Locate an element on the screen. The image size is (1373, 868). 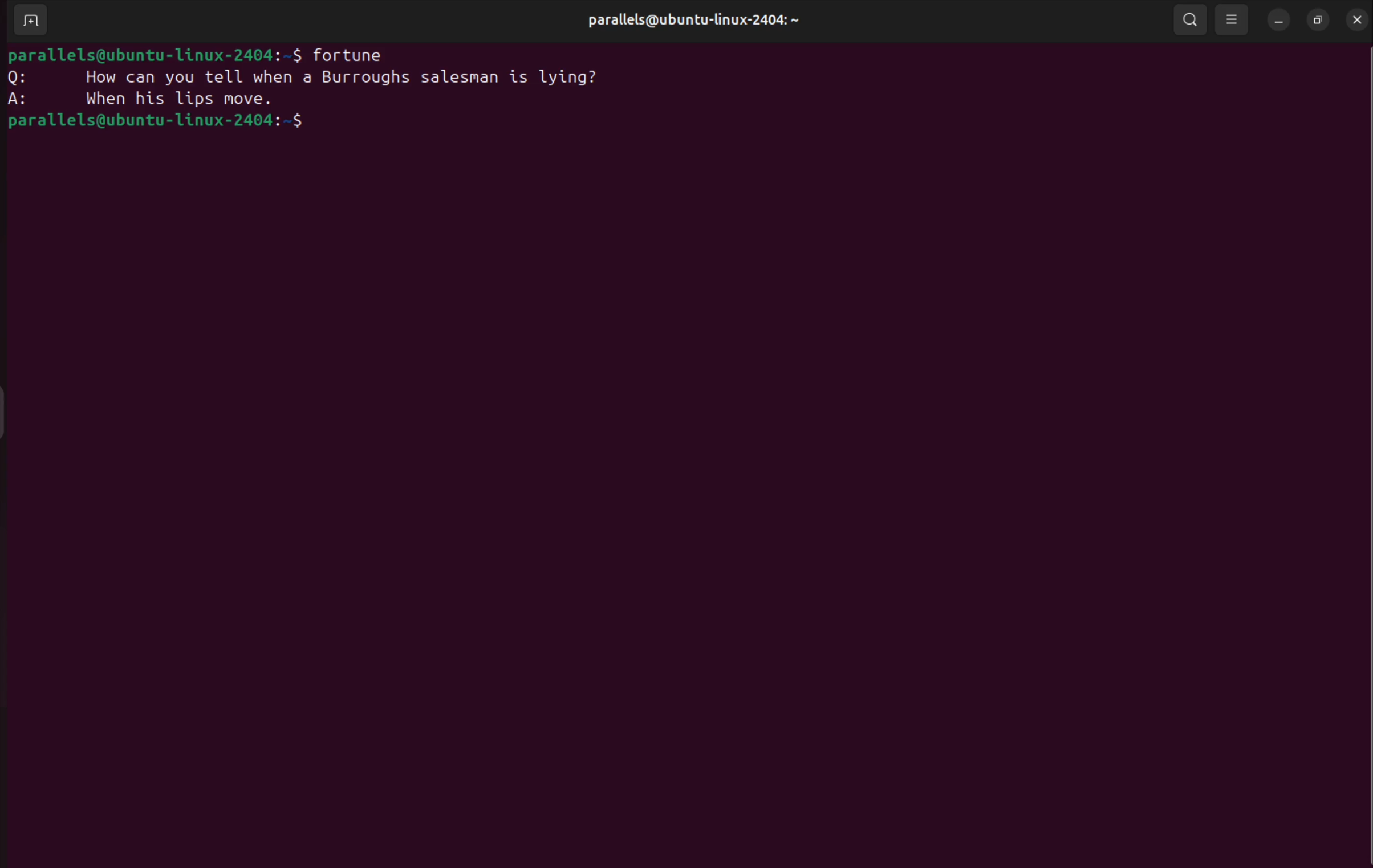
resize is located at coordinates (1316, 21).